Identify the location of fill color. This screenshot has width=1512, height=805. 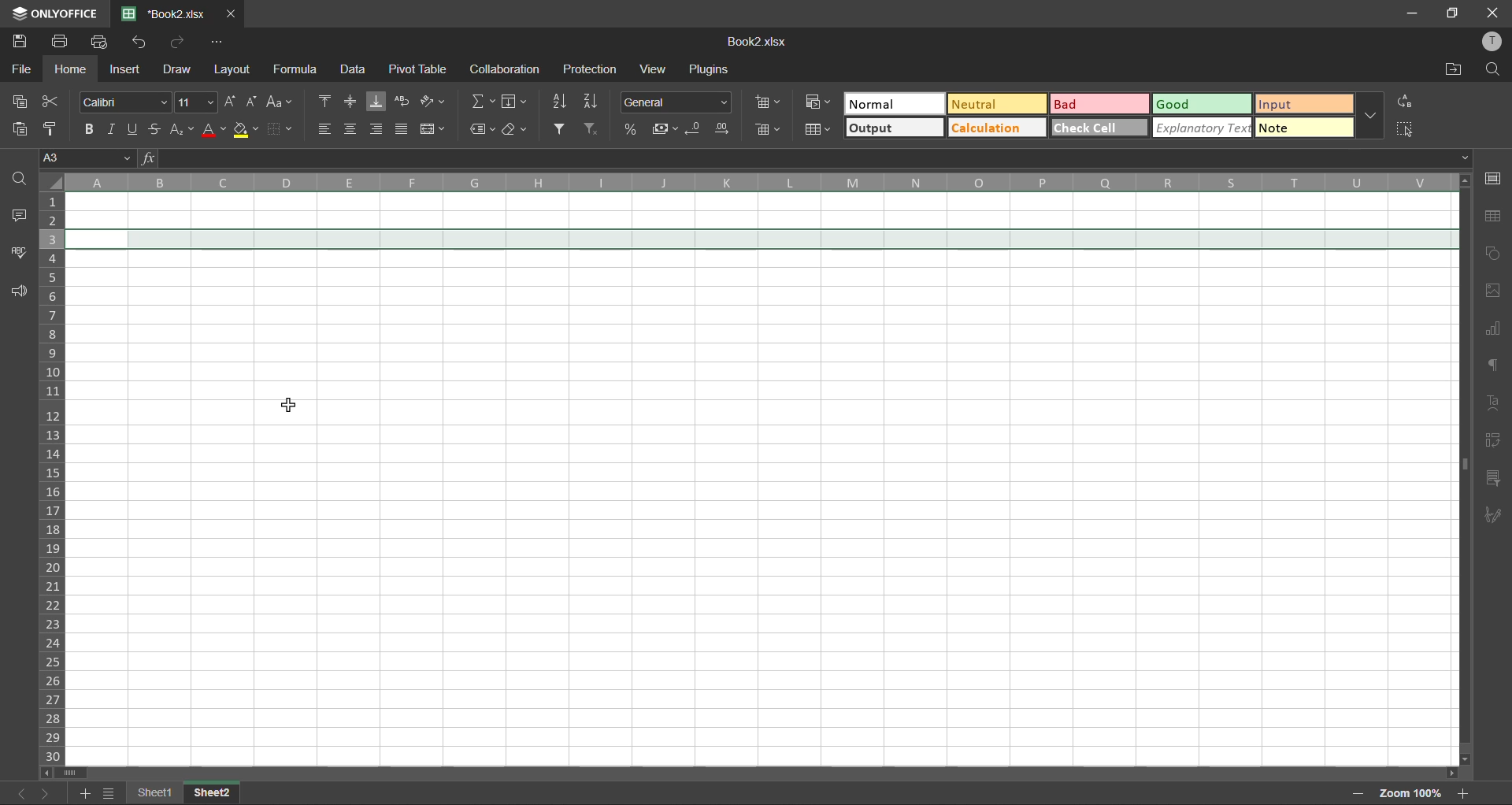
(245, 128).